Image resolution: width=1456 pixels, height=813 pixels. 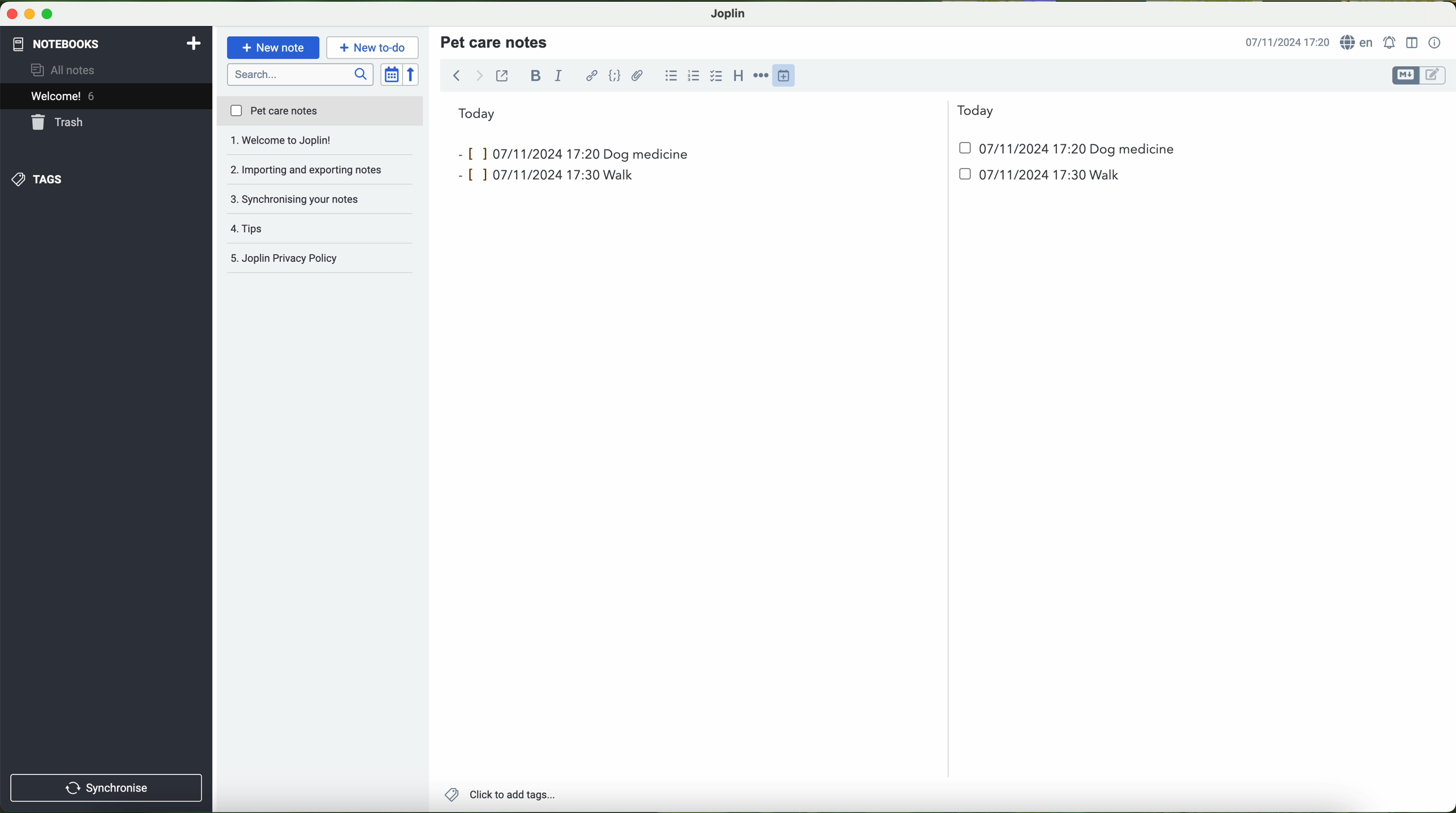 What do you see at coordinates (466, 75) in the screenshot?
I see `navigation arrows` at bounding box center [466, 75].